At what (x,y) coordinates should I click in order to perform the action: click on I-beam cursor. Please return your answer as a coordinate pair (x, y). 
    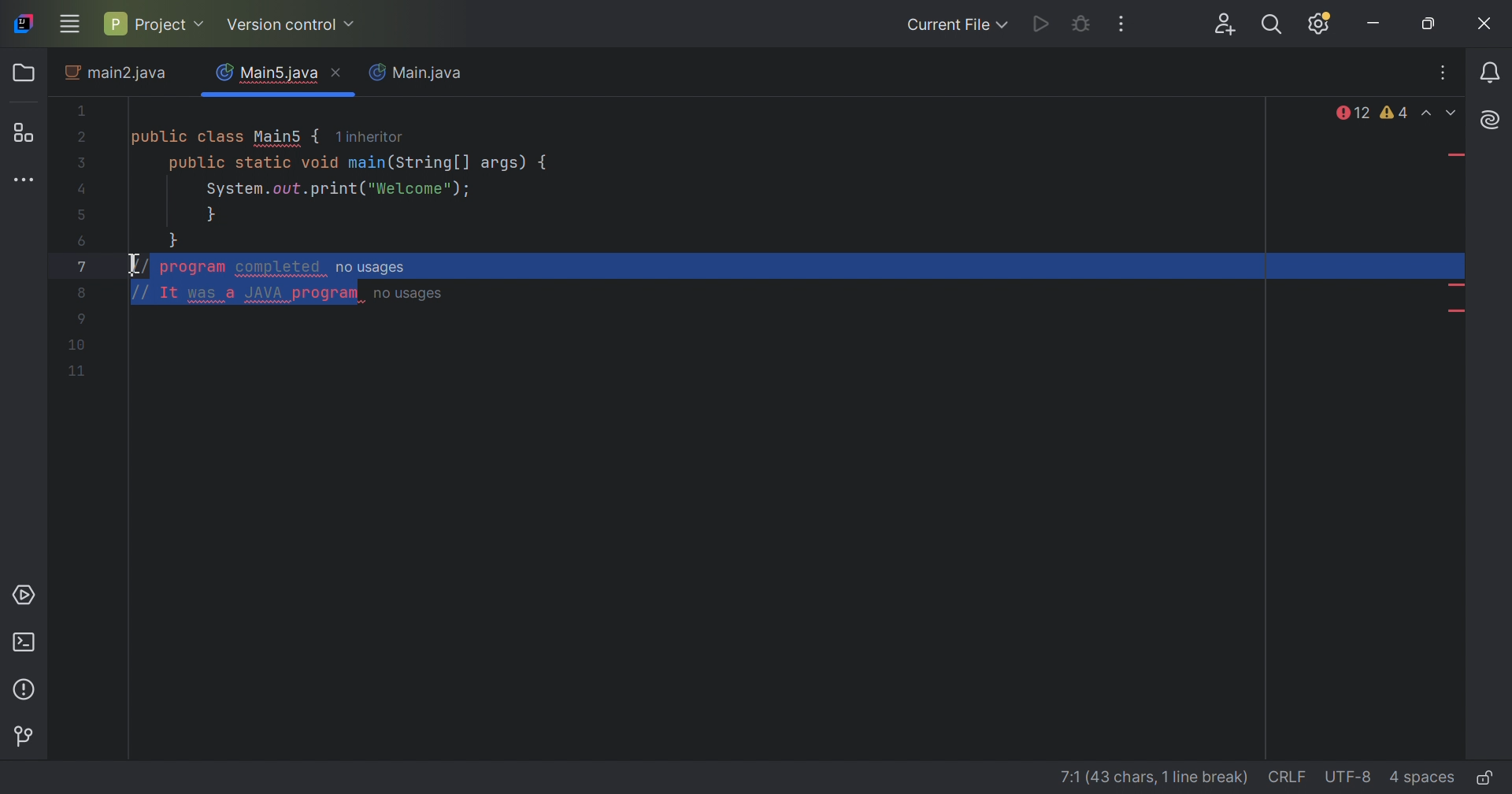
    Looking at the image, I should click on (129, 265).